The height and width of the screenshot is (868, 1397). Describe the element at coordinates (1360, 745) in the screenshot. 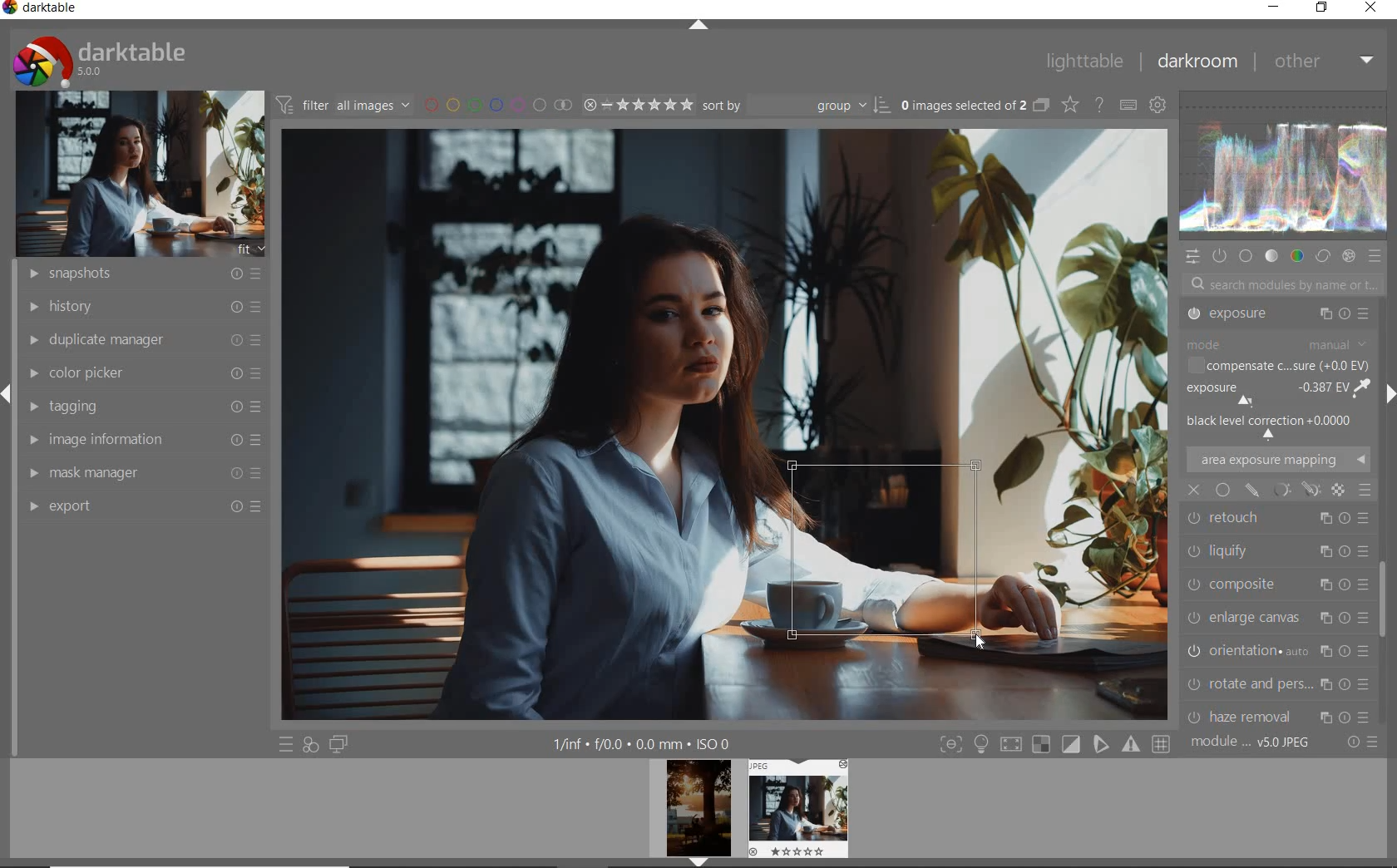

I see `RESET OR PRESET & PREFERANCE` at that location.